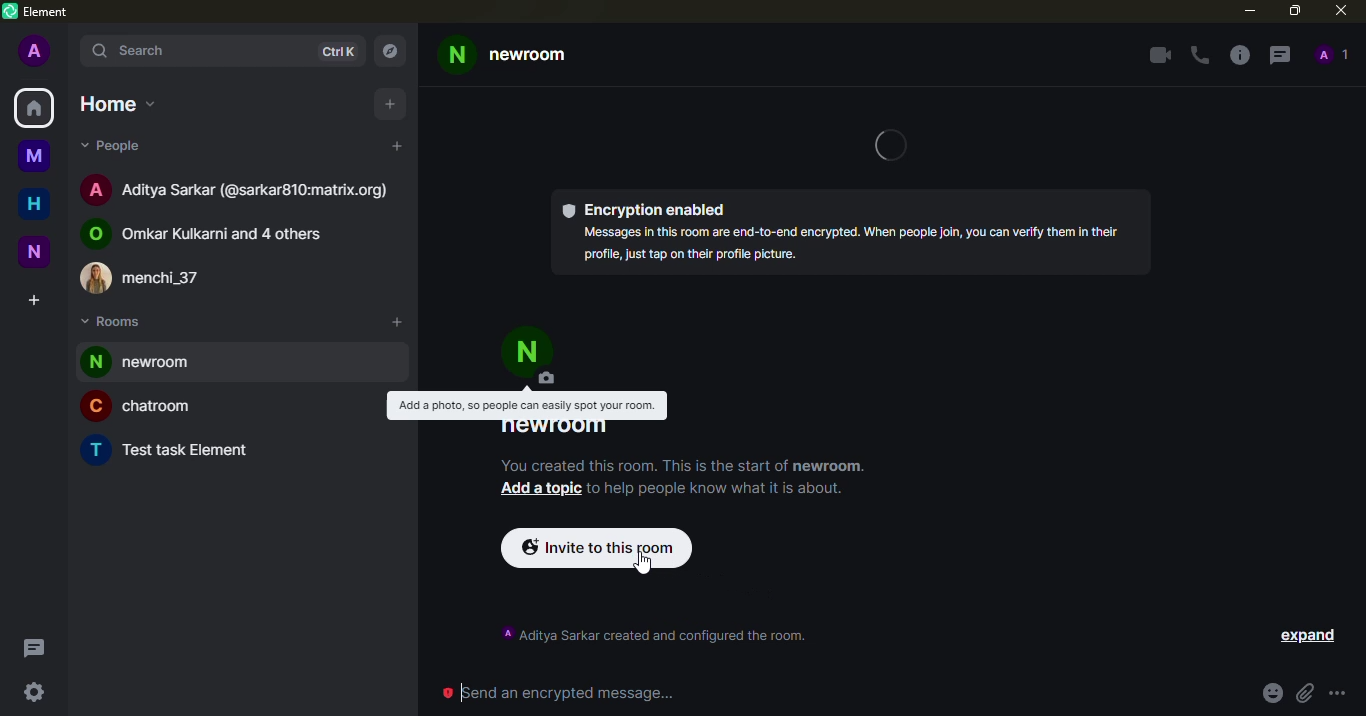  I want to click on add a topic, so click(540, 488).